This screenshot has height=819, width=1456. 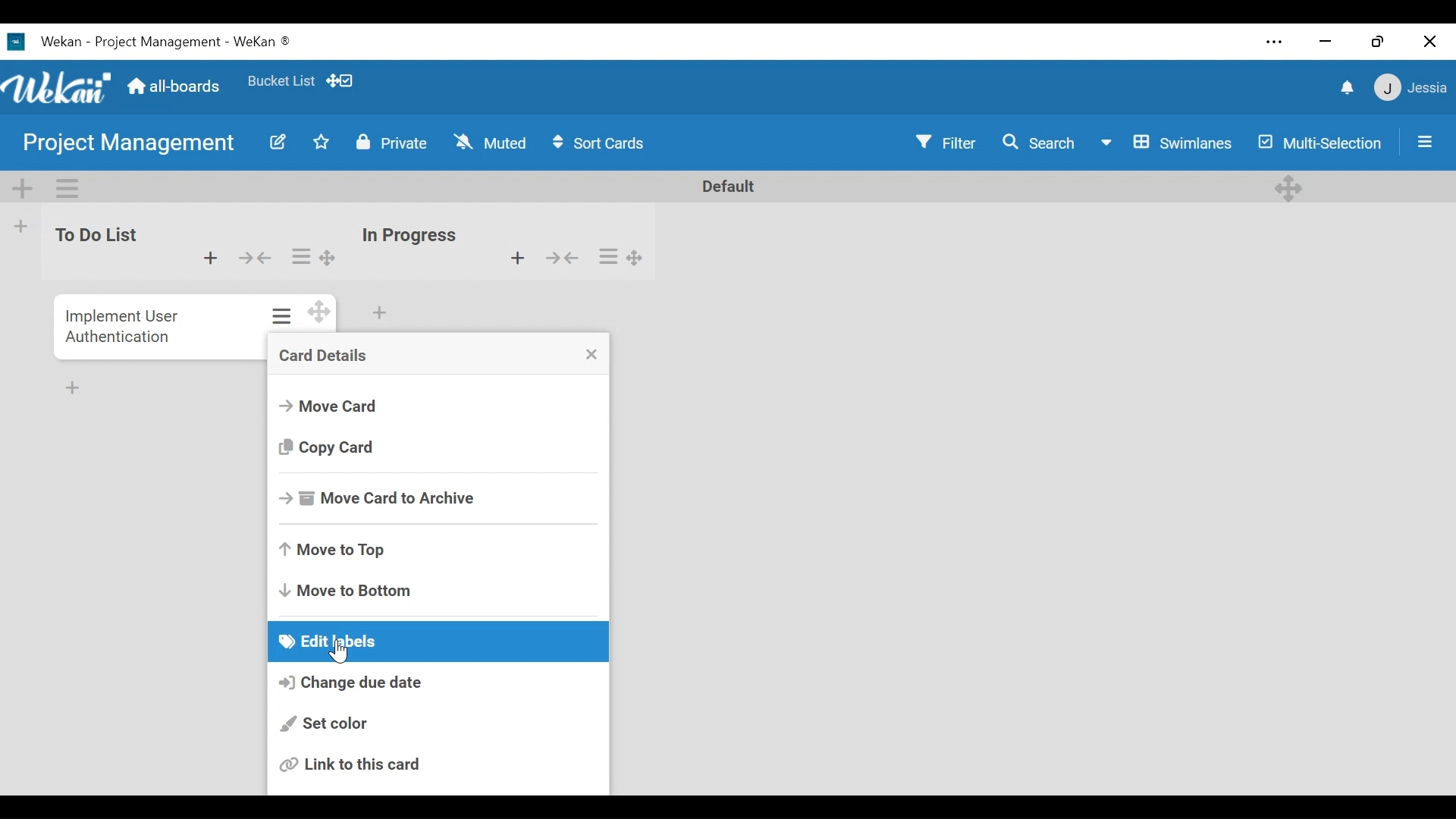 What do you see at coordinates (396, 143) in the screenshot?
I see `Private` at bounding box center [396, 143].